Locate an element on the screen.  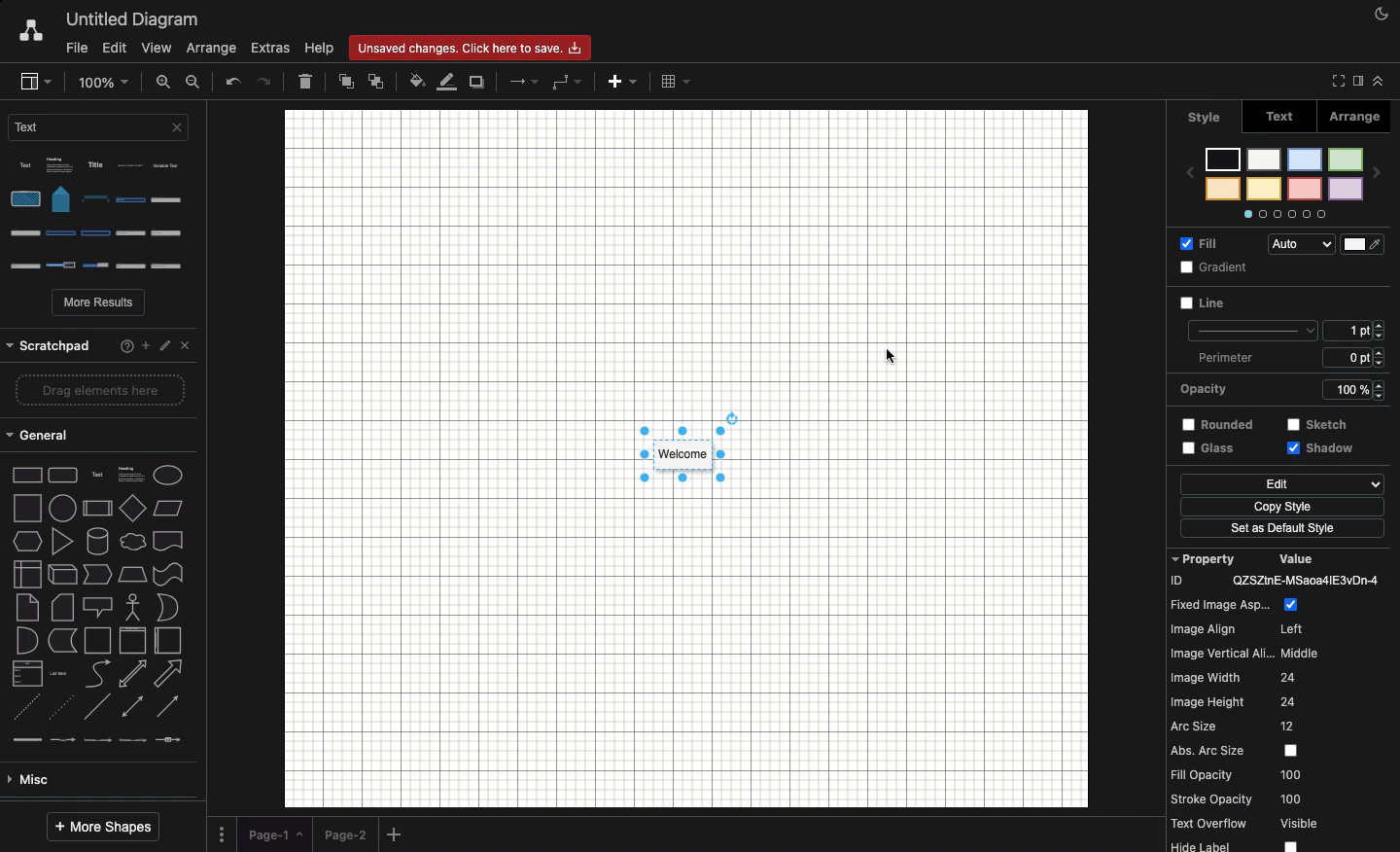
Arrange is located at coordinates (214, 47).